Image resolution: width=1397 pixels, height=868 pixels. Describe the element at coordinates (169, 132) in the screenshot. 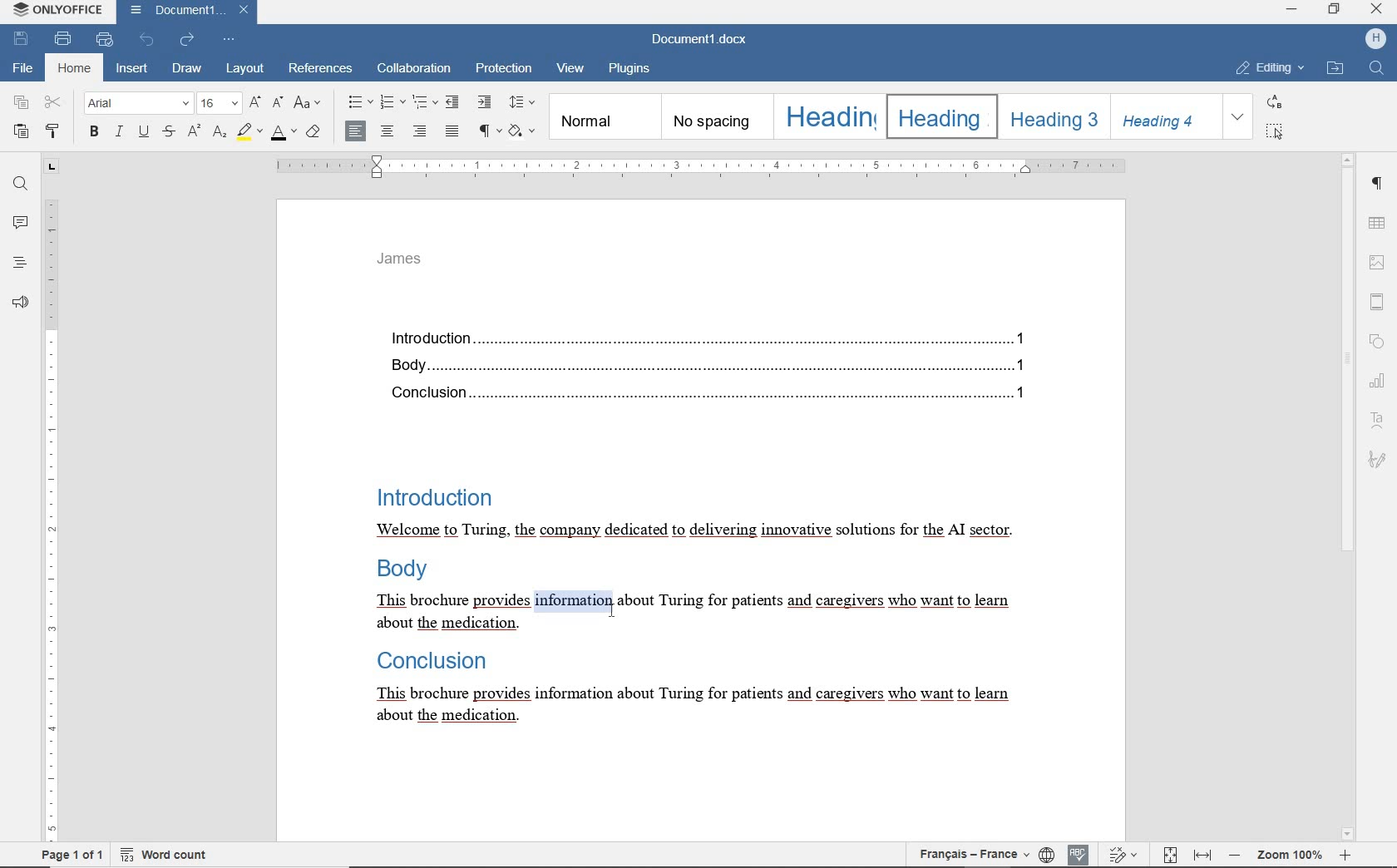

I see `STRIKETHROUGH` at that location.